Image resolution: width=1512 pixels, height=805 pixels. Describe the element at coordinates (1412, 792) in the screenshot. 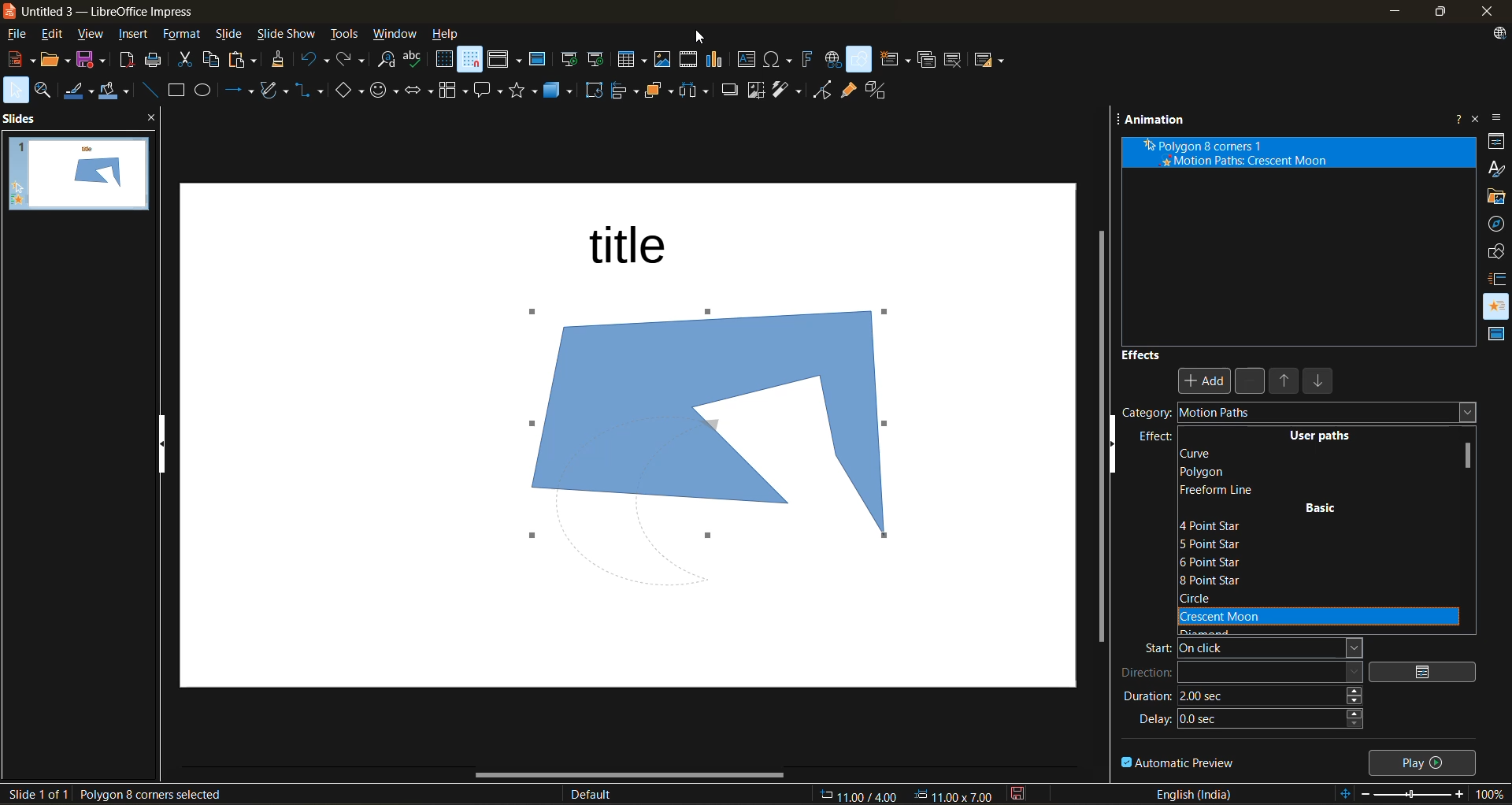

I see `zoom slider` at that location.